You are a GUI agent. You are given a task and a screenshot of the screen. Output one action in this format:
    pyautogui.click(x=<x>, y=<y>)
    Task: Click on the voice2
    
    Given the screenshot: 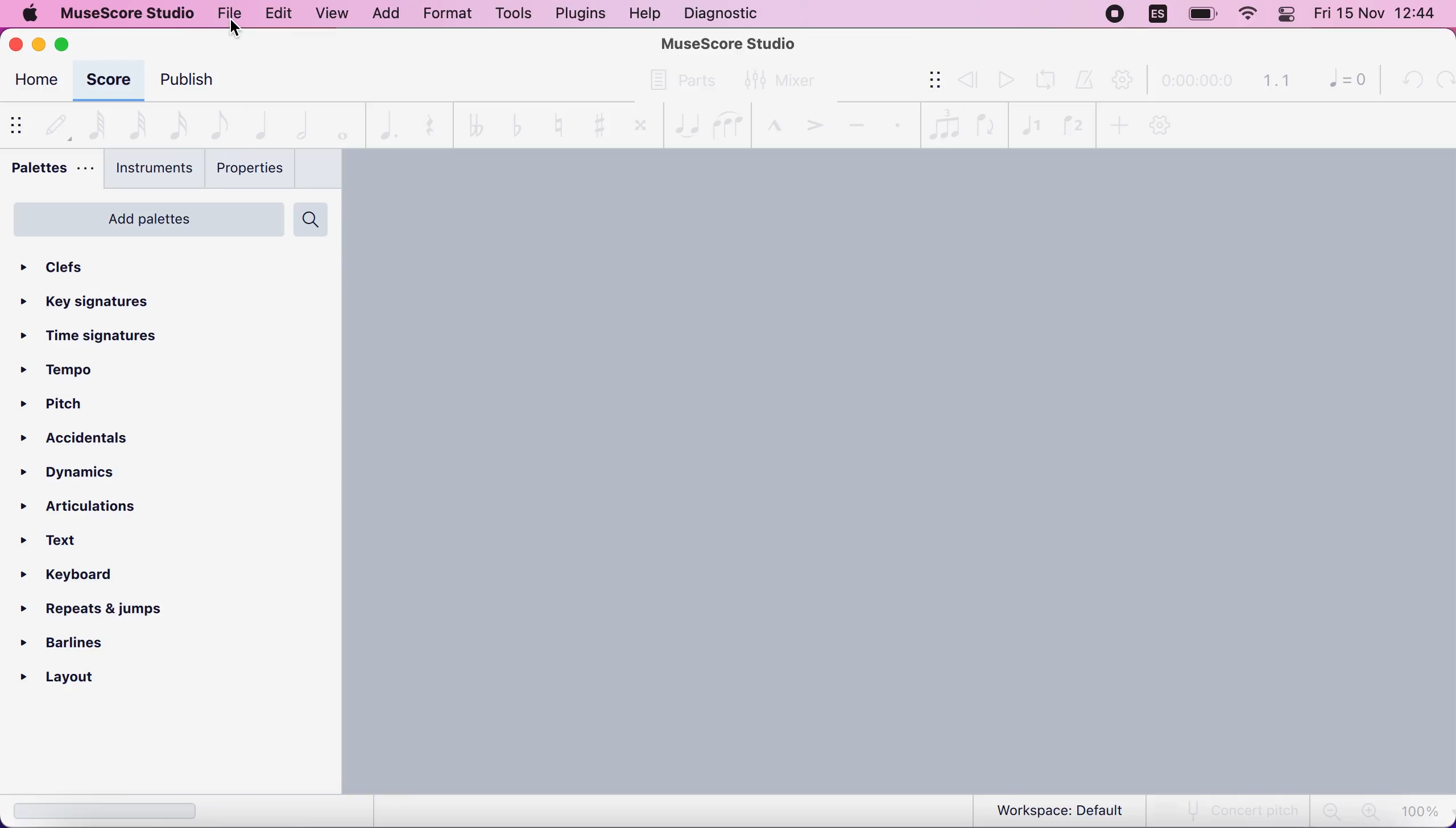 What is the action you would take?
    pyautogui.click(x=1072, y=123)
    